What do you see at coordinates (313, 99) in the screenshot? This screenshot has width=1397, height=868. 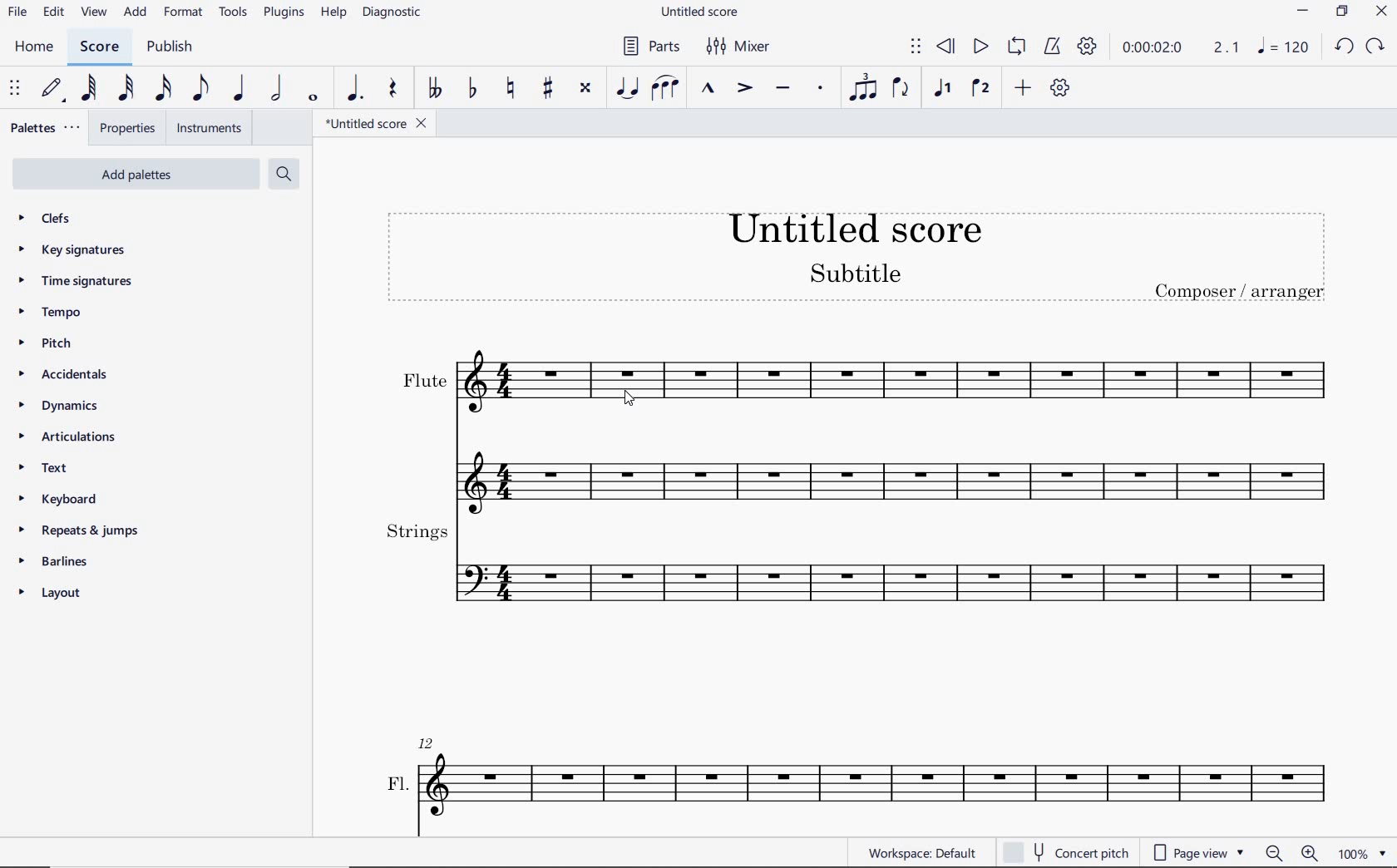 I see `WHOLE NOTE` at bounding box center [313, 99].